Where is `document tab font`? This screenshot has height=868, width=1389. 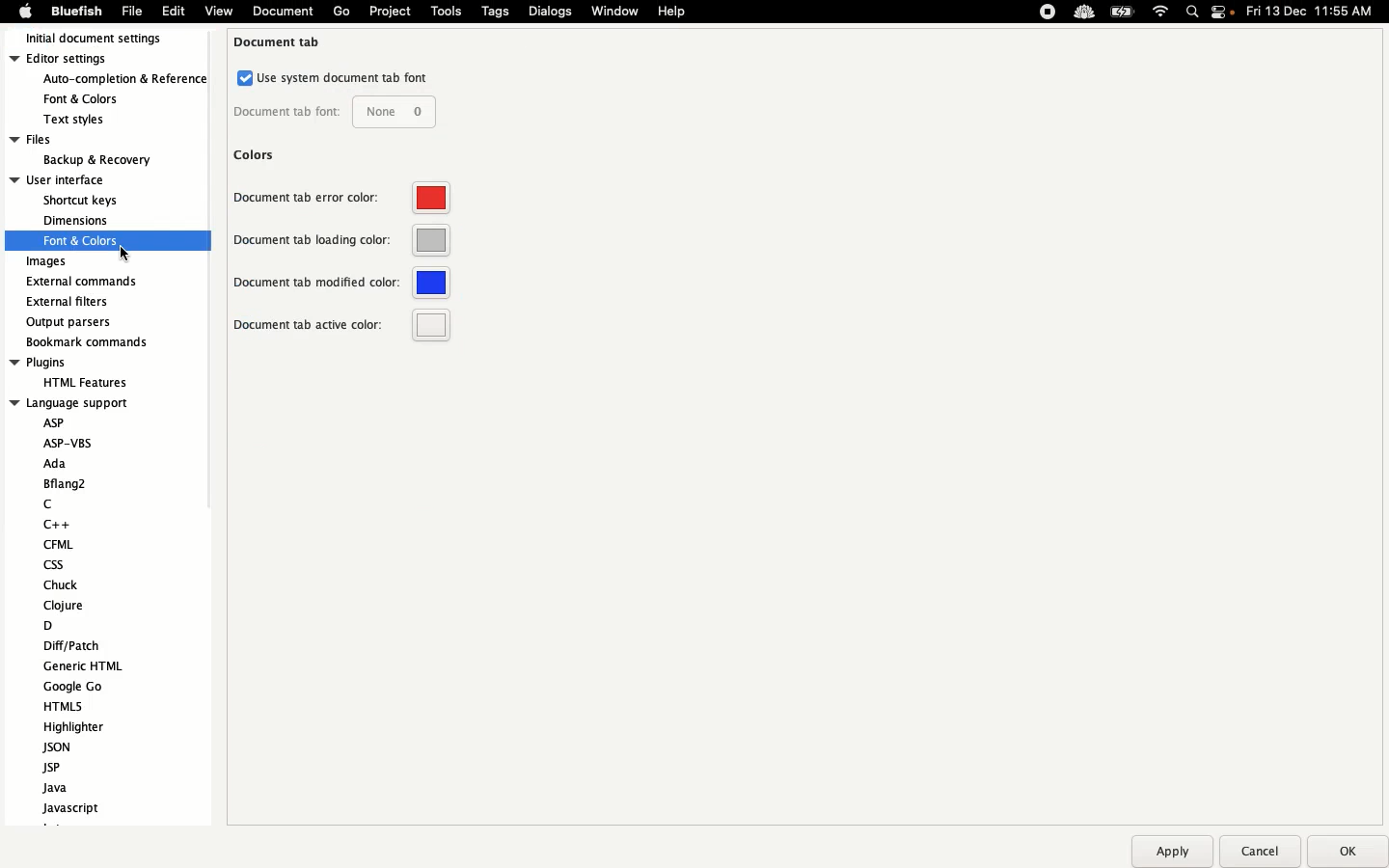
document tab font is located at coordinates (290, 112).